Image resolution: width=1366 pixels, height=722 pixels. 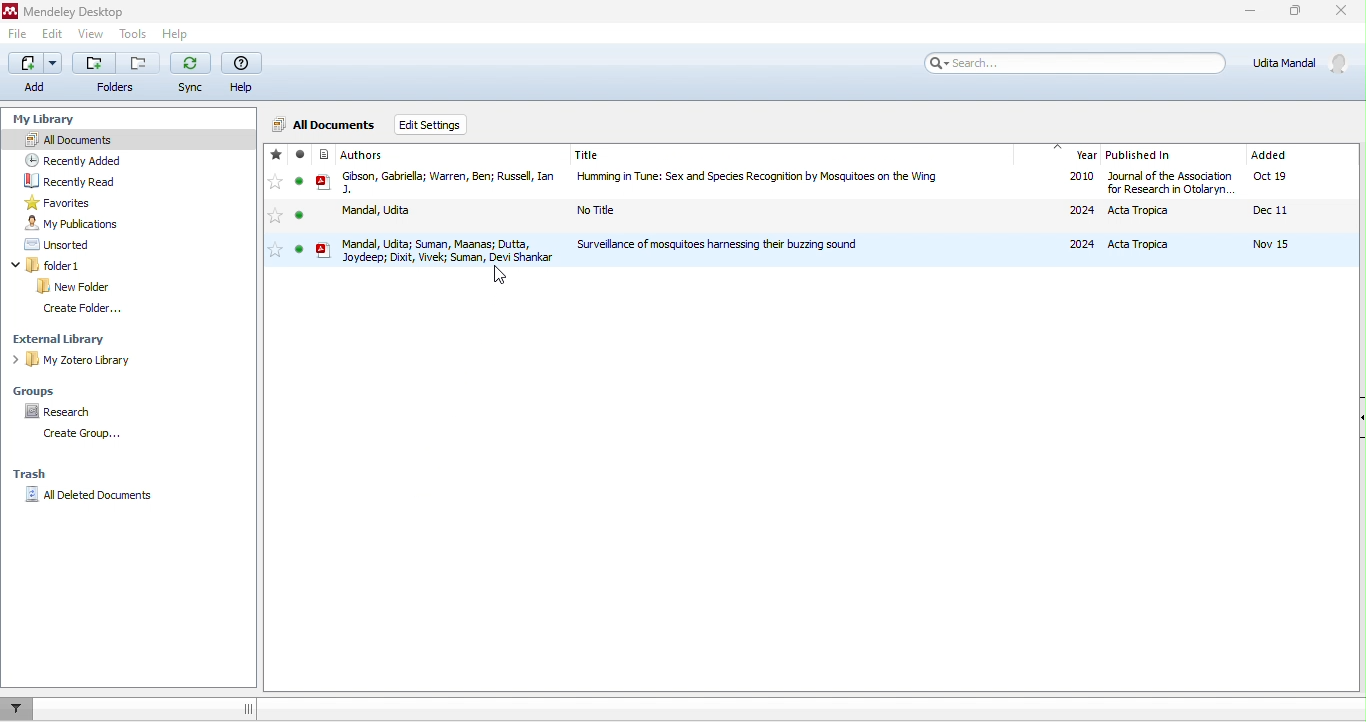 What do you see at coordinates (78, 223) in the screenshot?
I see `my publications` at bounding box center [78, 223].